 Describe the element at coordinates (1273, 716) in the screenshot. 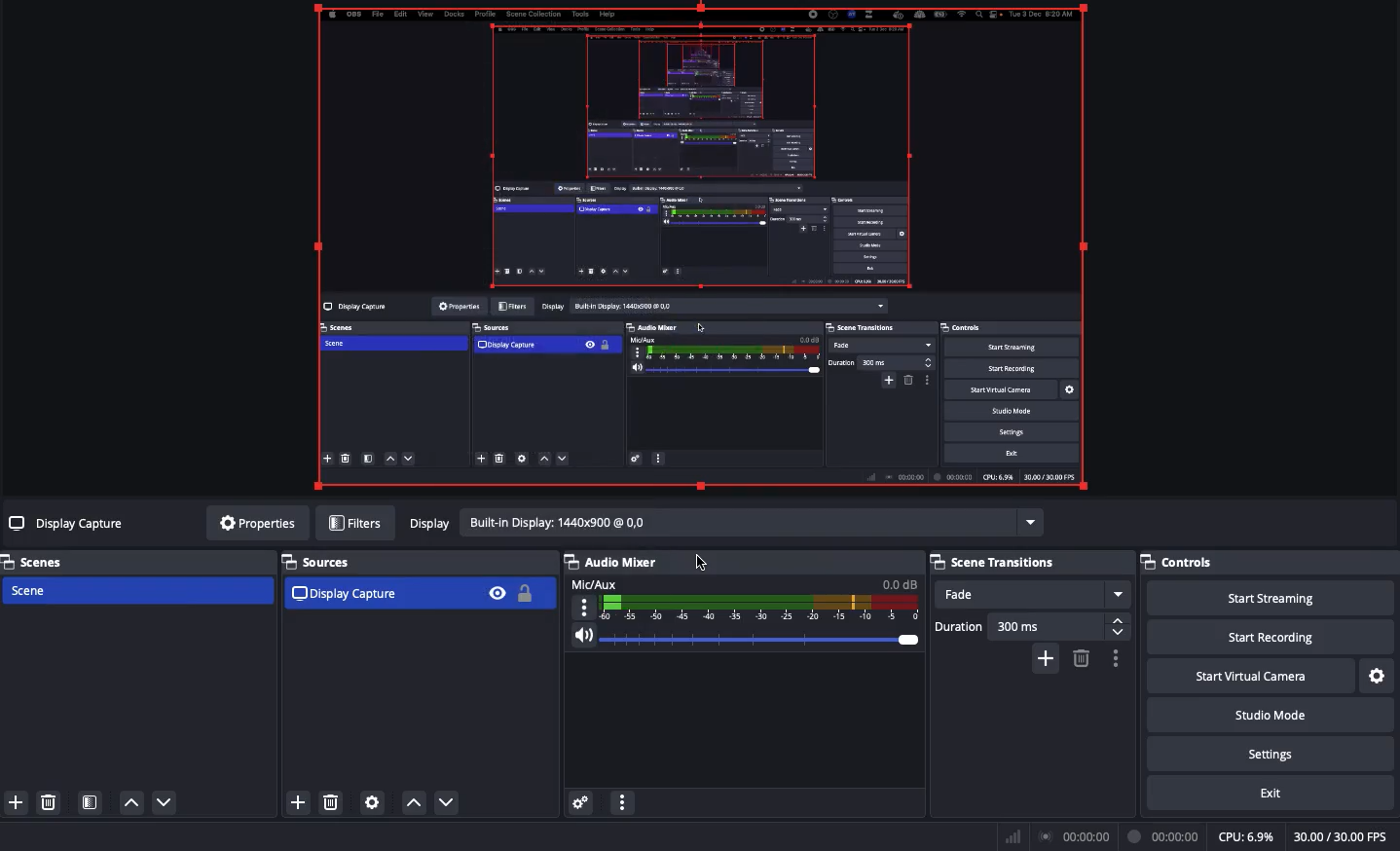

I see `Studio mode` at that location.